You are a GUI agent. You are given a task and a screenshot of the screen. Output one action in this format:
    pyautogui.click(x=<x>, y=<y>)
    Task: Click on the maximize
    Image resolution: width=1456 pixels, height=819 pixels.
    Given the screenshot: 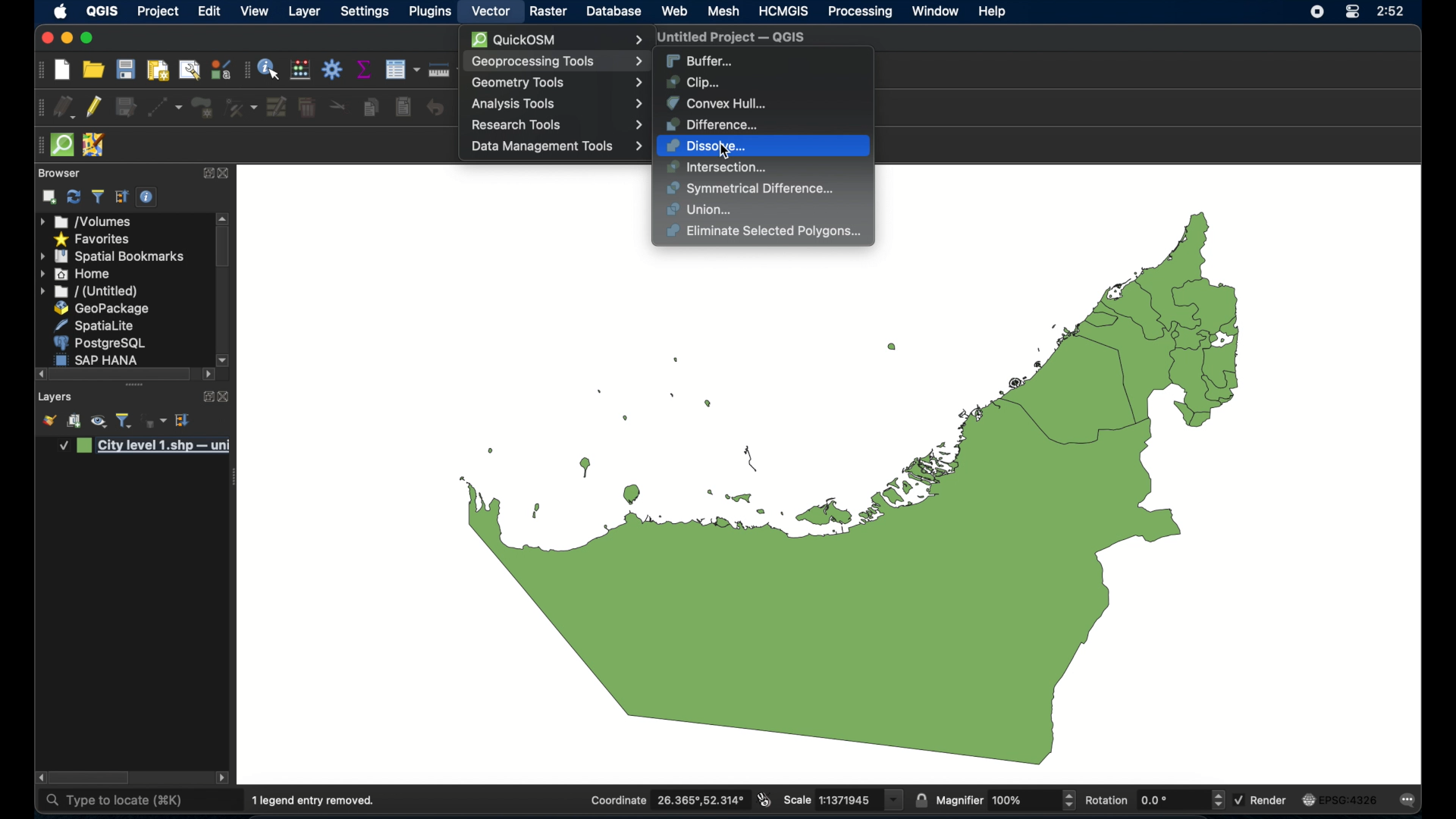 What is the action you would take?
    pyautogui.click(x=88, y=39)
    